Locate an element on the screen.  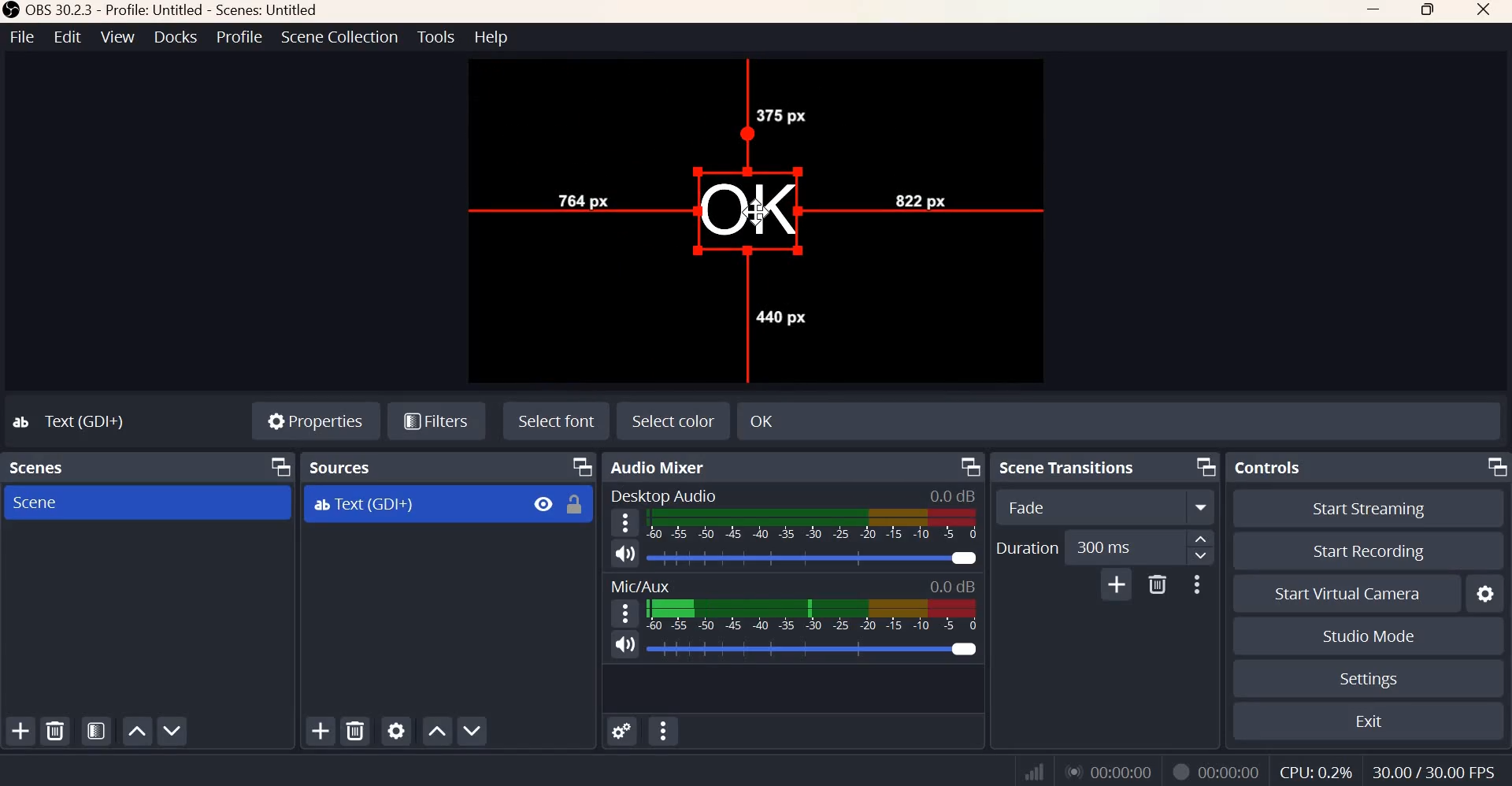
Remove scene is located at coordinates (54, 730).